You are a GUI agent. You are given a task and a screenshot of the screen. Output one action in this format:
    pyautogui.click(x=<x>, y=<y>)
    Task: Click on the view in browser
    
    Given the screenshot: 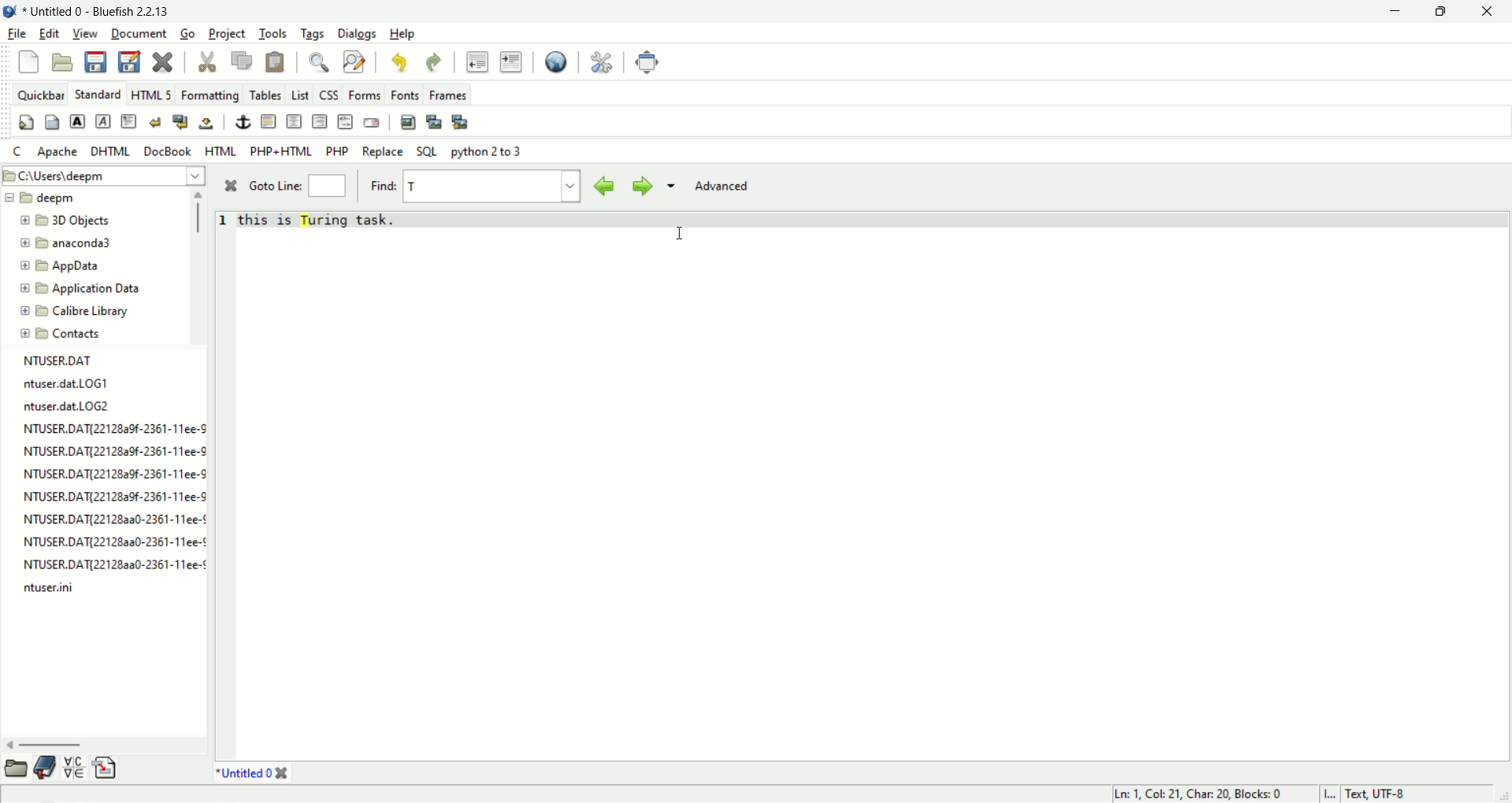 What is the action you would take?
    pyautogui.click(x=556, y=63)
    